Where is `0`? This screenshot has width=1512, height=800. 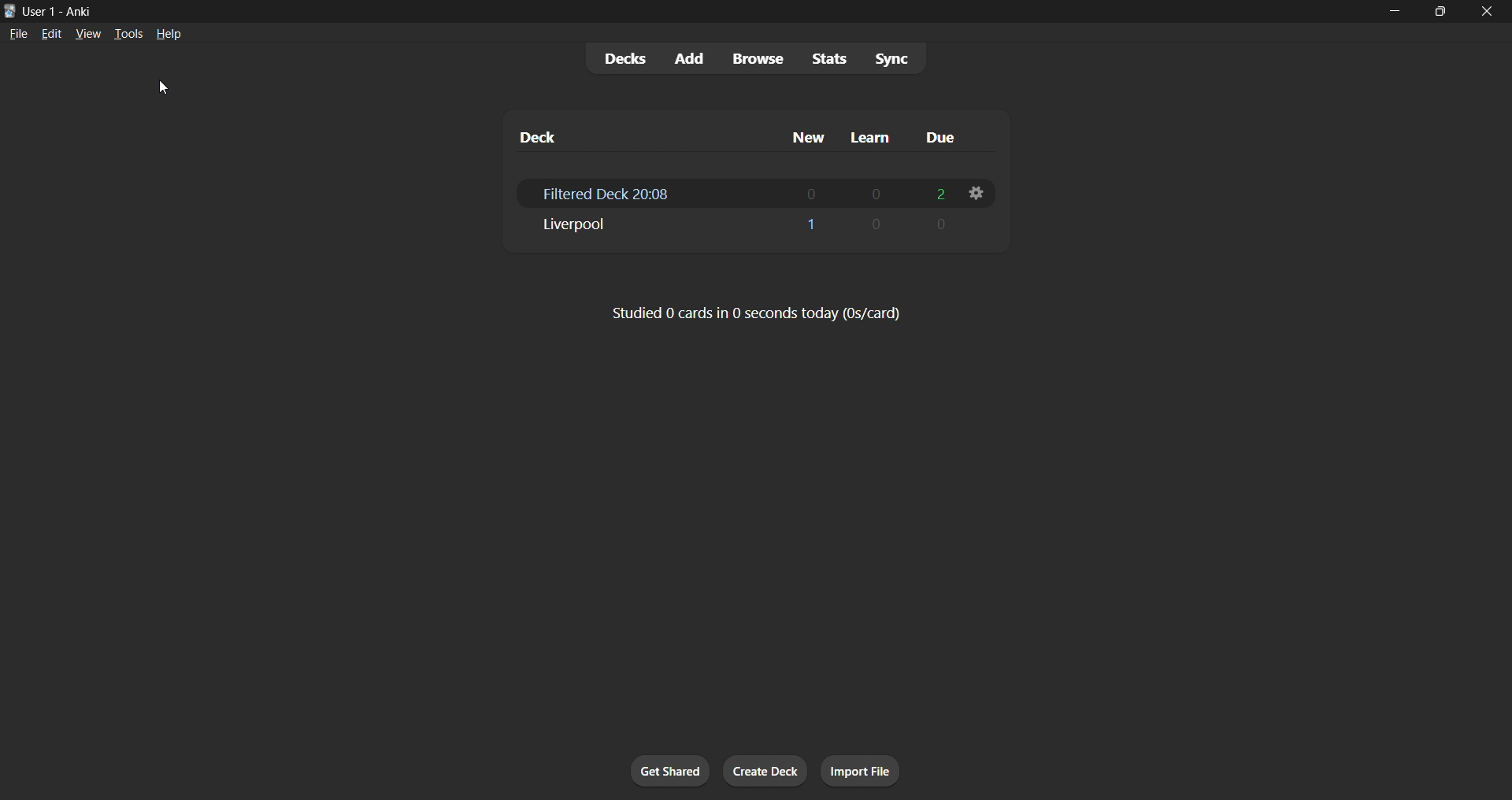
0 is located at coordinates (874, 226).